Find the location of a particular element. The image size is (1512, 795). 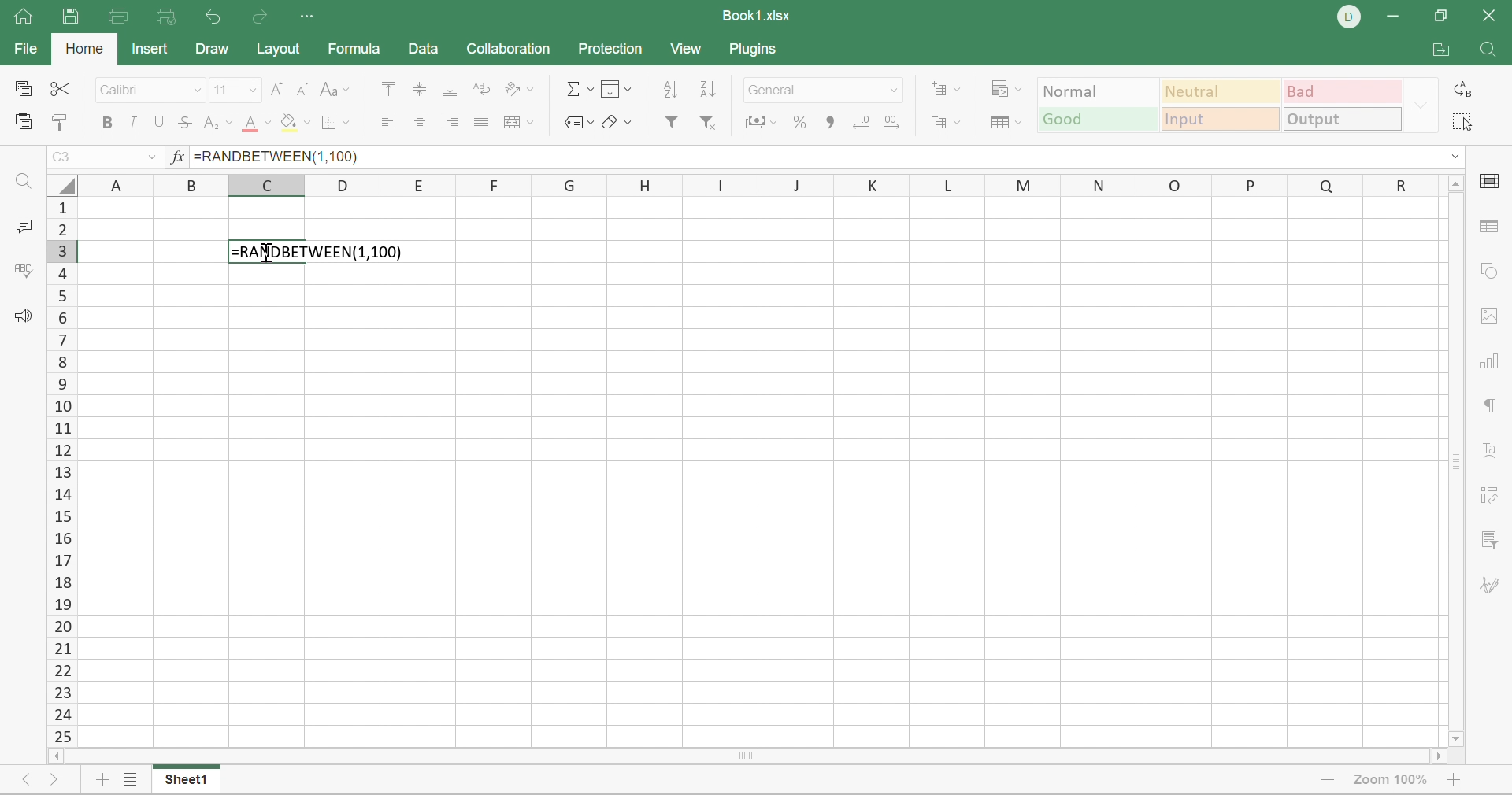

Restore Down is located at coordinates (1443, 14).